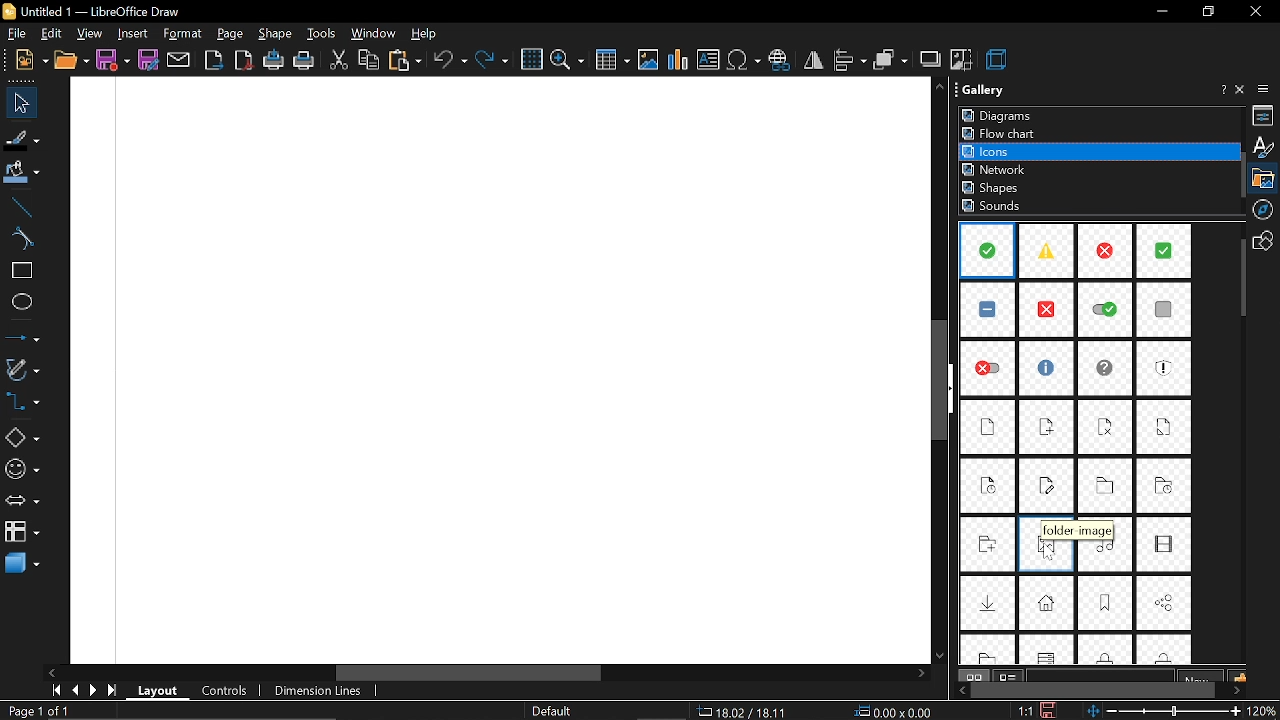 The width and height of the screenshot is (1280, 720). I want to click on insert text, so click(709, 60).